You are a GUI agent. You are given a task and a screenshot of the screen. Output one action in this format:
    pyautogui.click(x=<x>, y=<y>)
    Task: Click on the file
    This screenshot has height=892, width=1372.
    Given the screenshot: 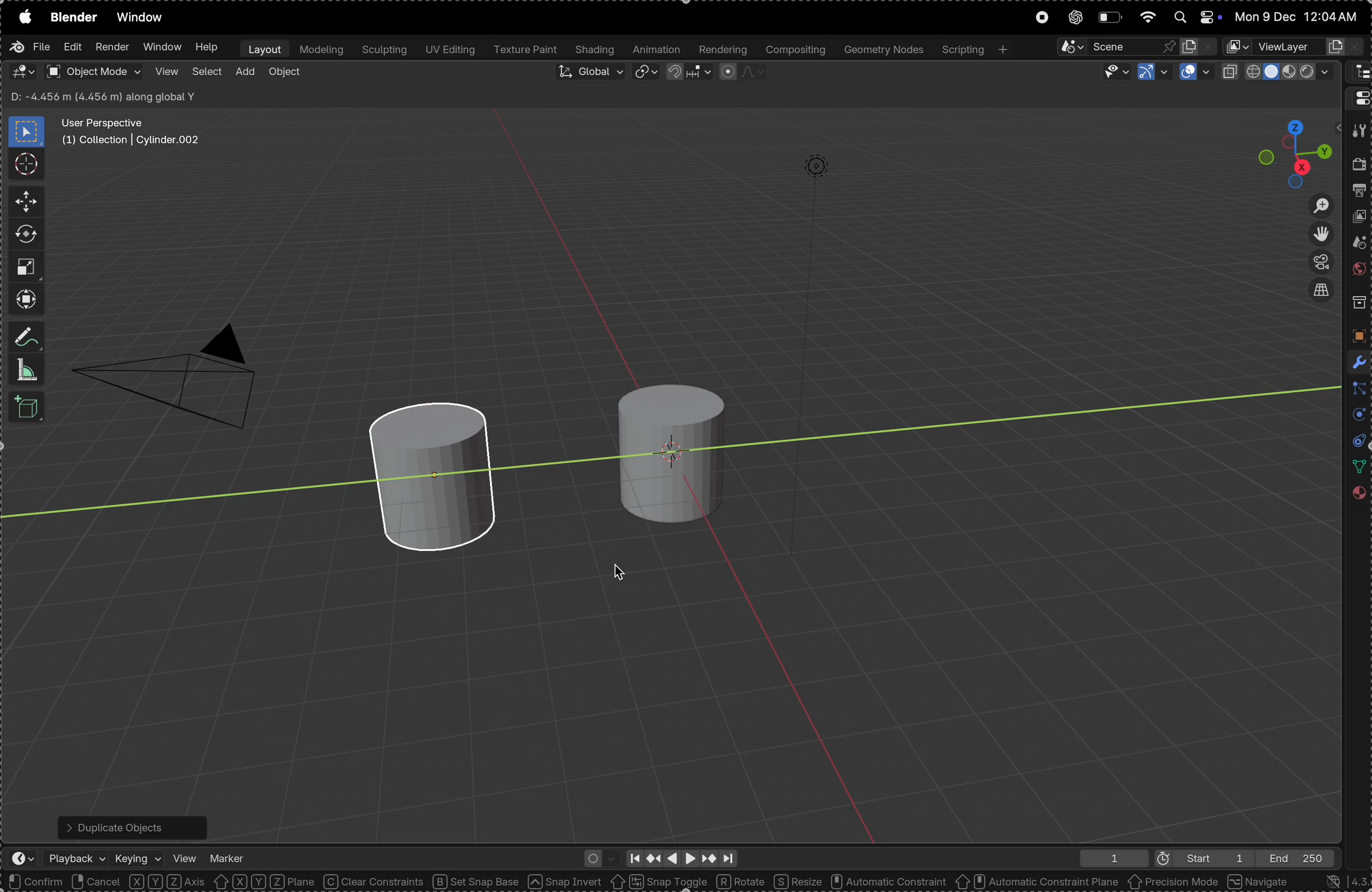 What is the action you would take?
    pyautogui.click(x=29, y=47)
    